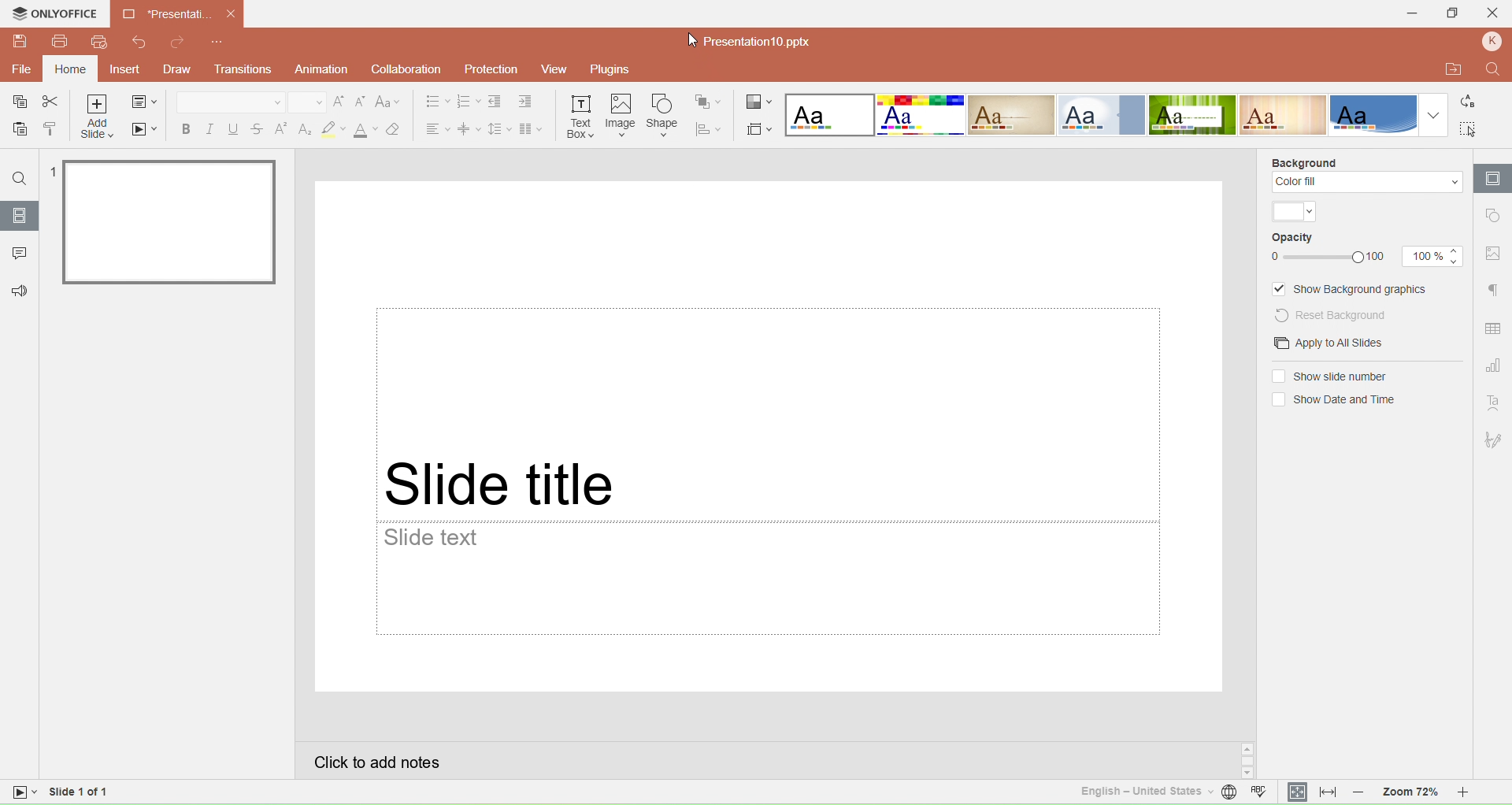  Describe the element at coordinates (692, 42) in the screenshot. I see `Cursor` at that location.